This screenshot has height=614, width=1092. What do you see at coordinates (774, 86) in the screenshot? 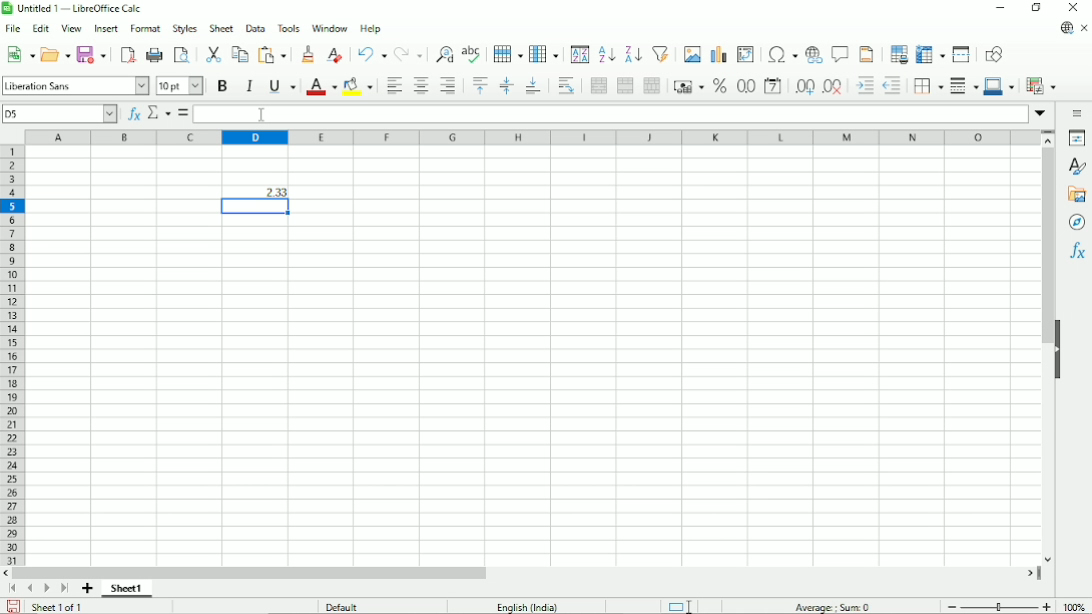
I see `Format as date` at bounding box center [774, 86].